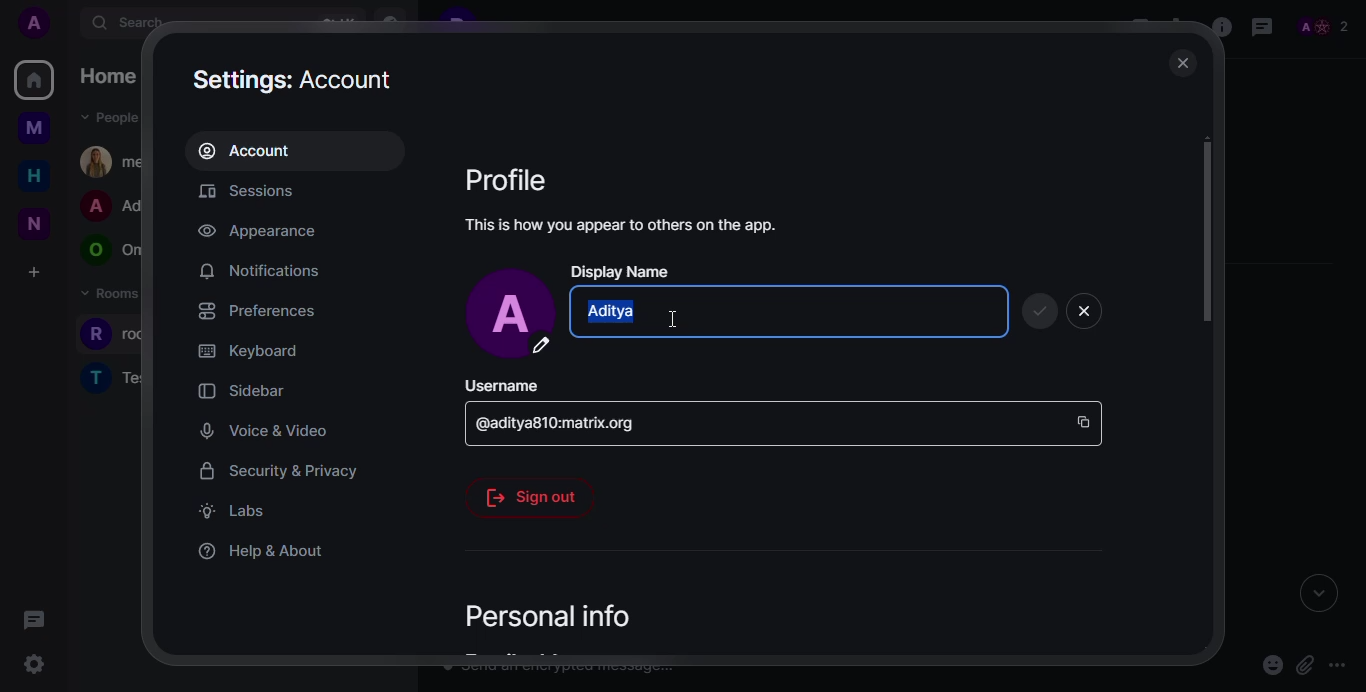 The height and width of the screenshot is (692, 1366). I want to click on create a space, so click(33, 274).